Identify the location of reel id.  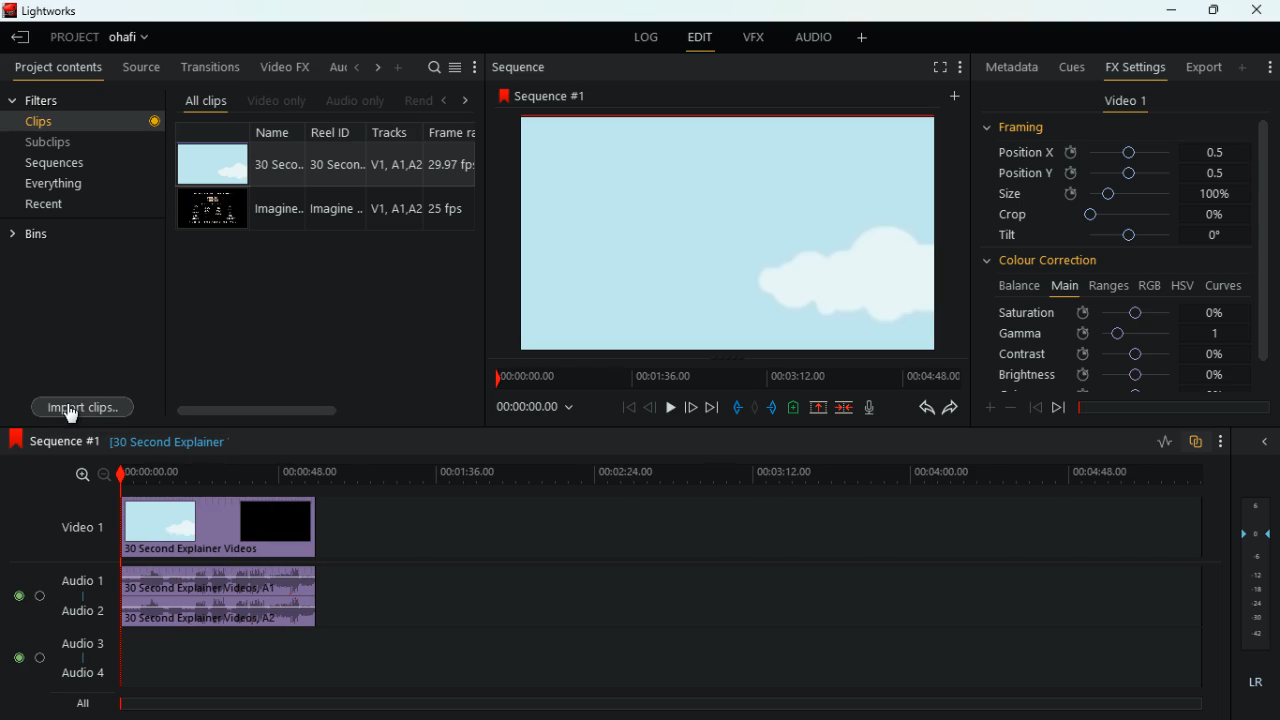
(329, 175).